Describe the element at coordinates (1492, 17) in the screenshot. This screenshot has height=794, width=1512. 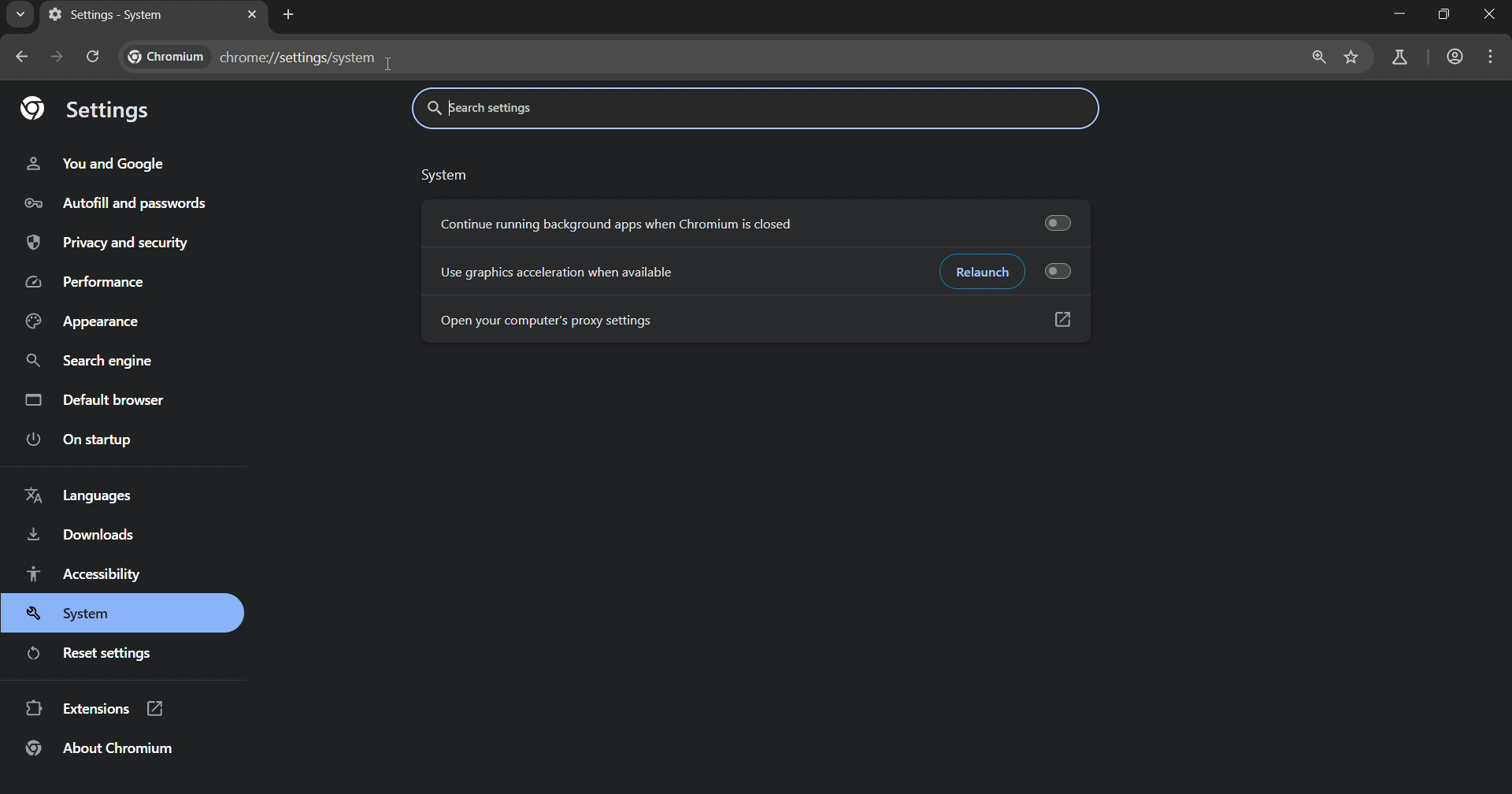
I see `Close` at that location.